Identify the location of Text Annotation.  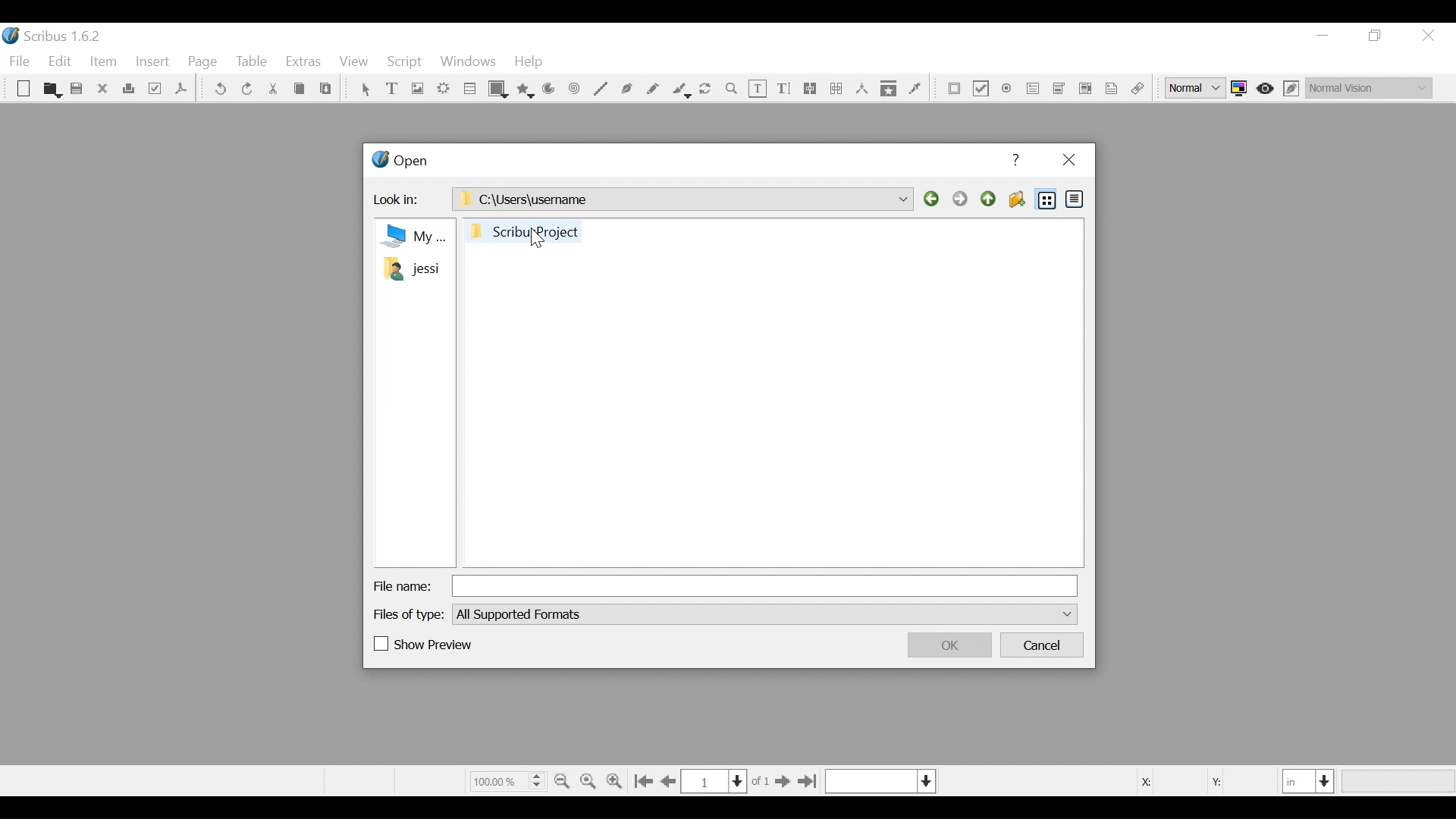
(1109, 89).